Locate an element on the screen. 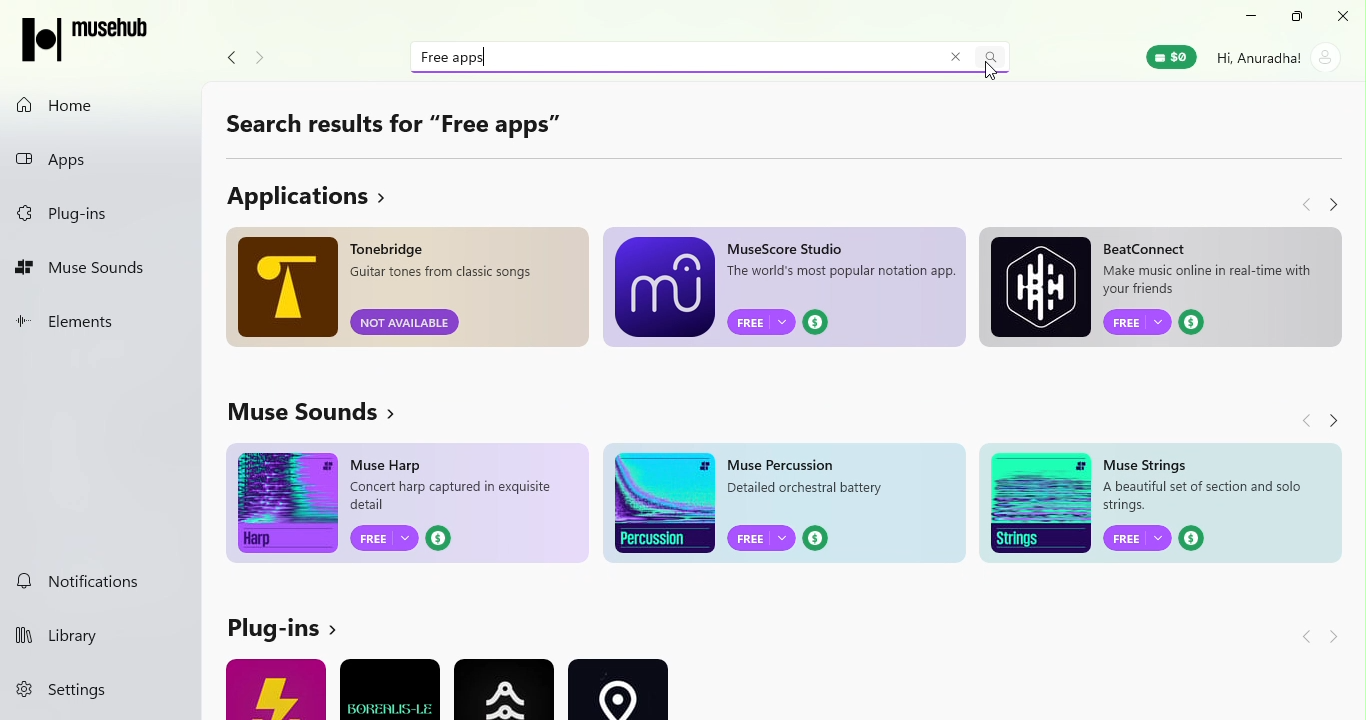 The width and height of the screenshot is (1366, 720). Ad is located at coordinates (402, 505).